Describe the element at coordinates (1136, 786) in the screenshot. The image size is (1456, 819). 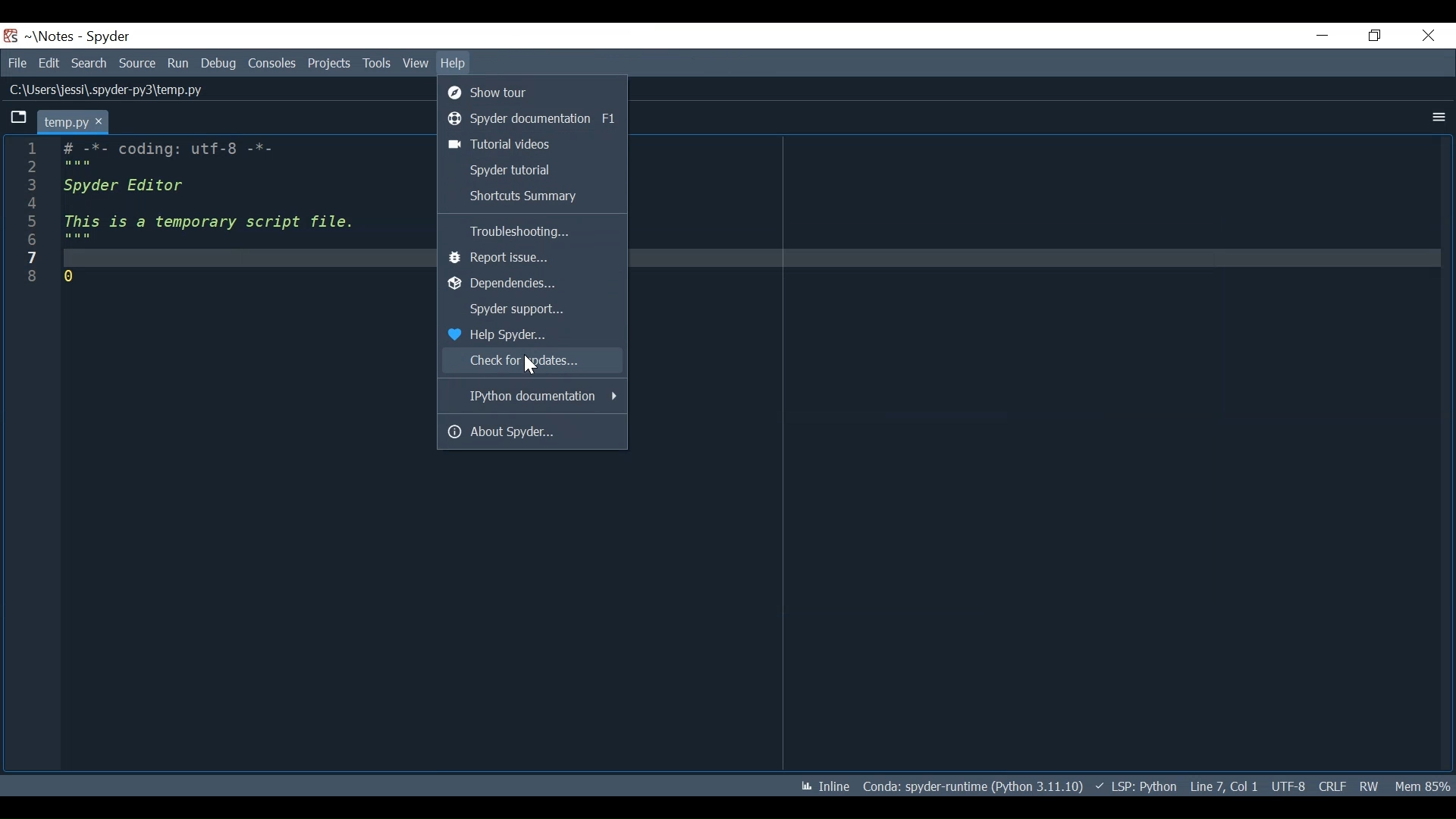
I see `LSP: Python` at that location.